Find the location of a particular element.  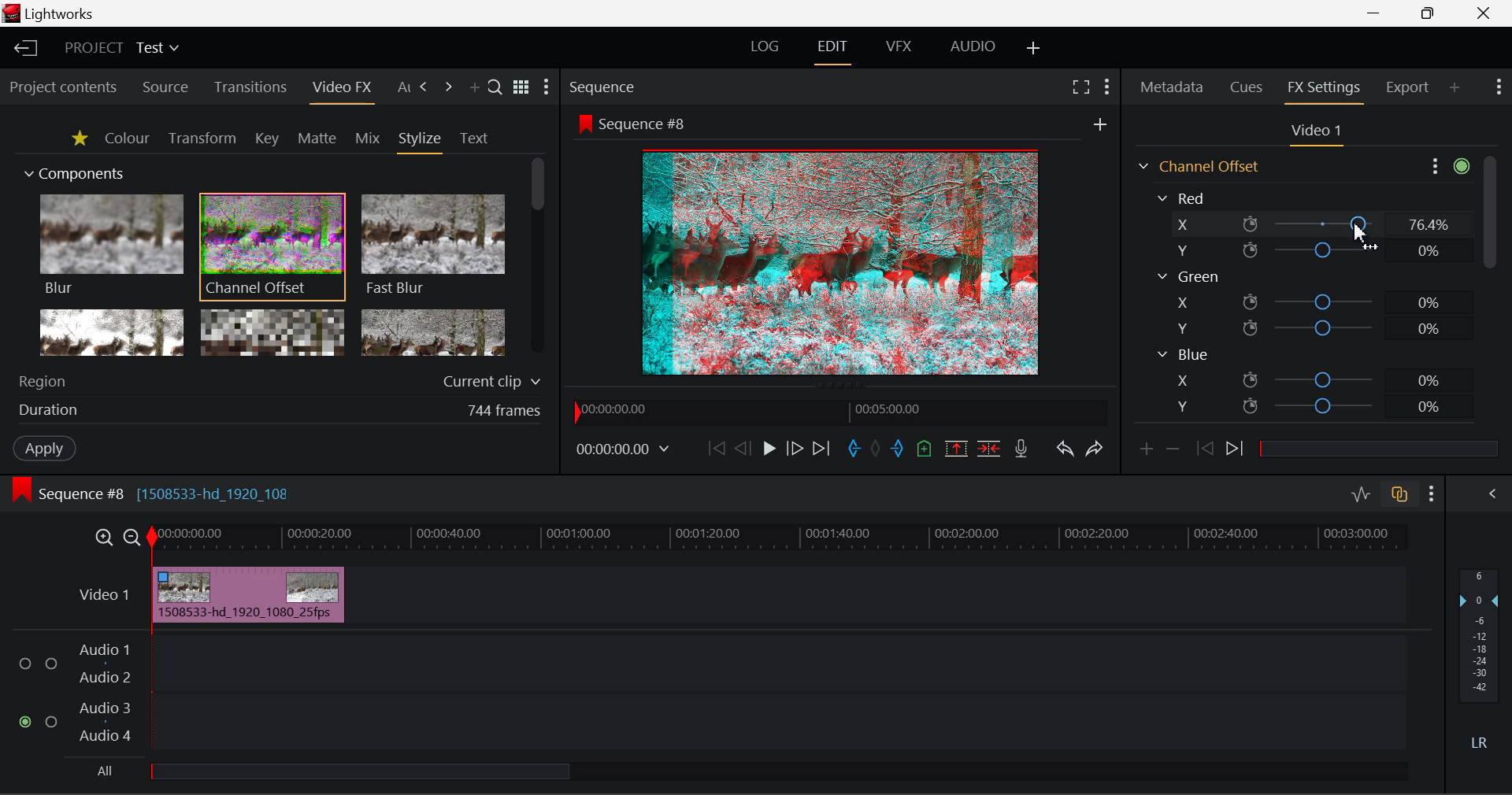

Region is located at coordinates (283, 379).